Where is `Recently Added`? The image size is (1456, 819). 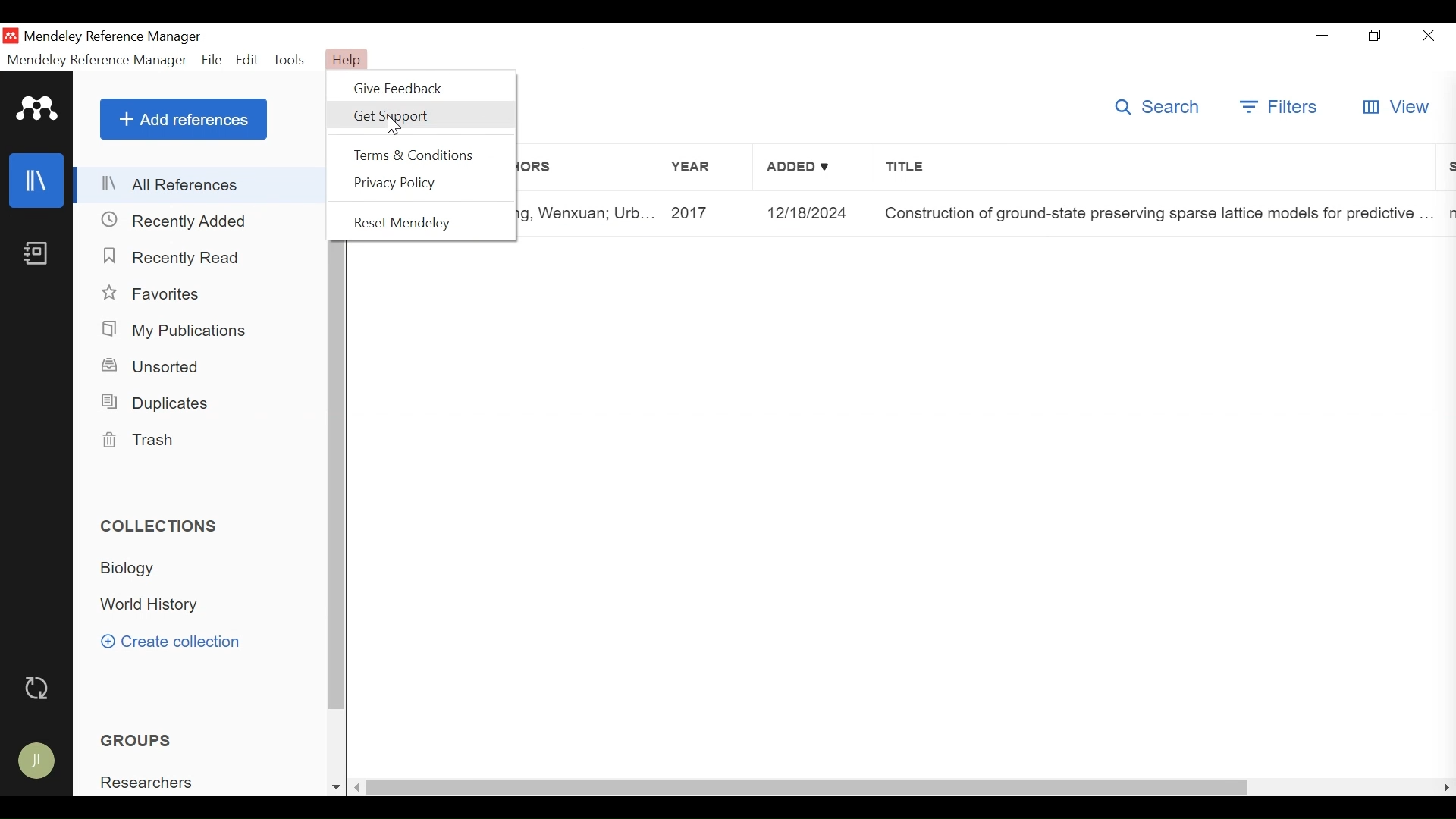
Recently Added is located at coordinates (178, 221).